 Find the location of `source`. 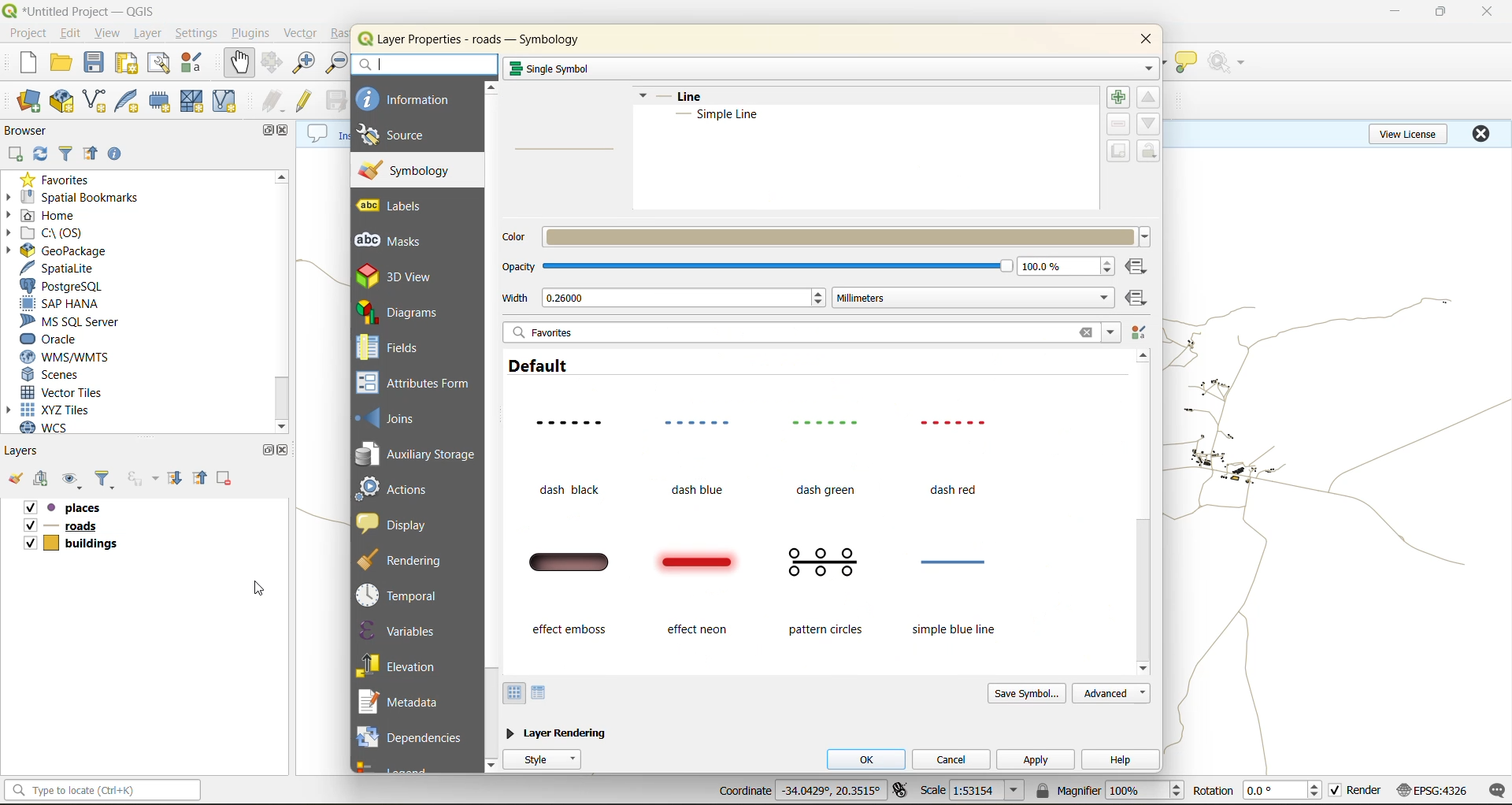

source is located at coordinates (402, 135).